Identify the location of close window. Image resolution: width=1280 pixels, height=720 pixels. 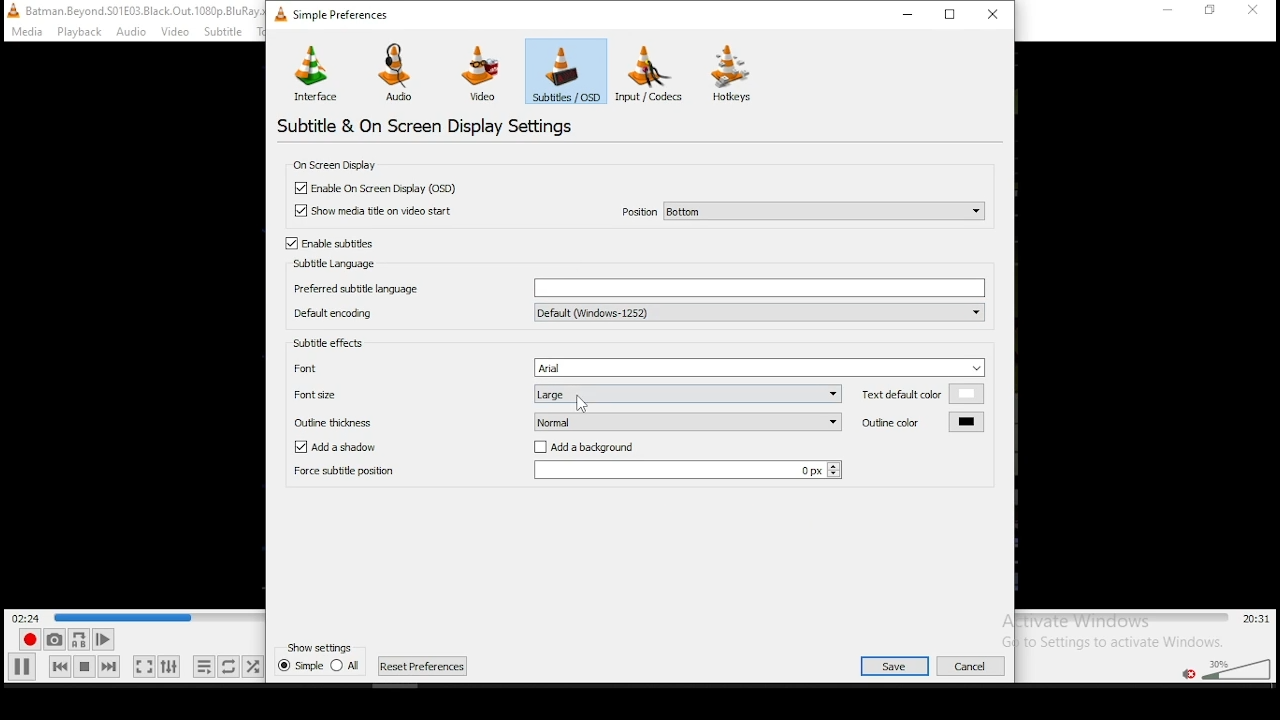
(996, 13).